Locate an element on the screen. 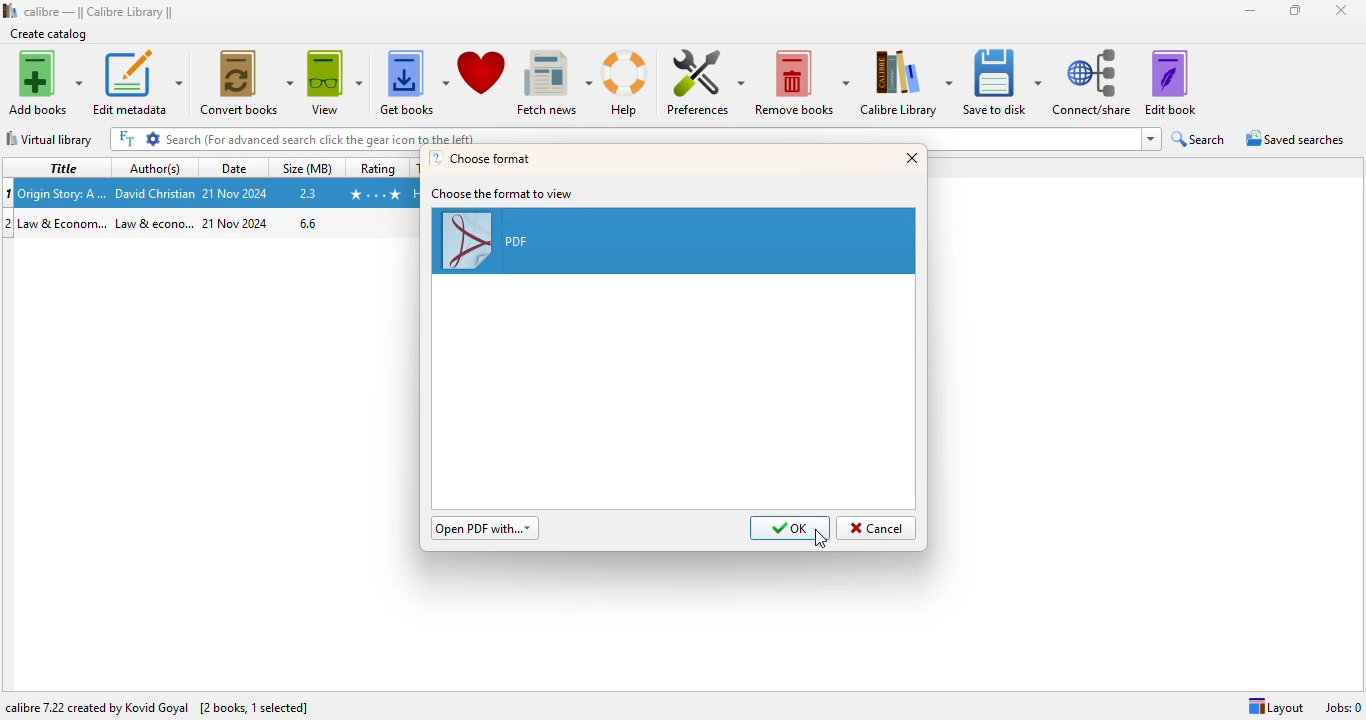  author is located at coordinates (155, 224).